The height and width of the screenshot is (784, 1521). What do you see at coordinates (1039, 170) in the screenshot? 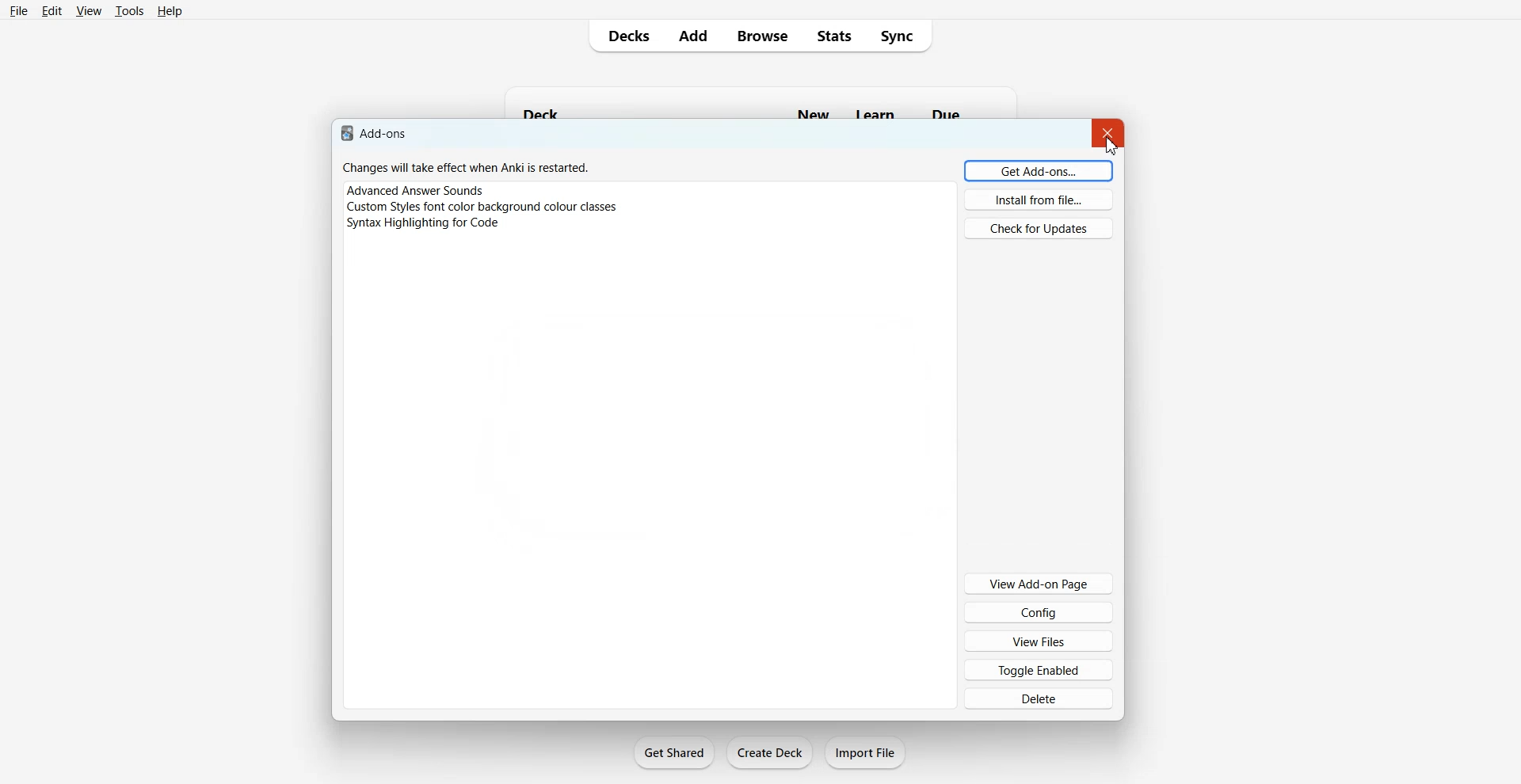
I see `Get Add ons` at bounding box center [1039, 170].